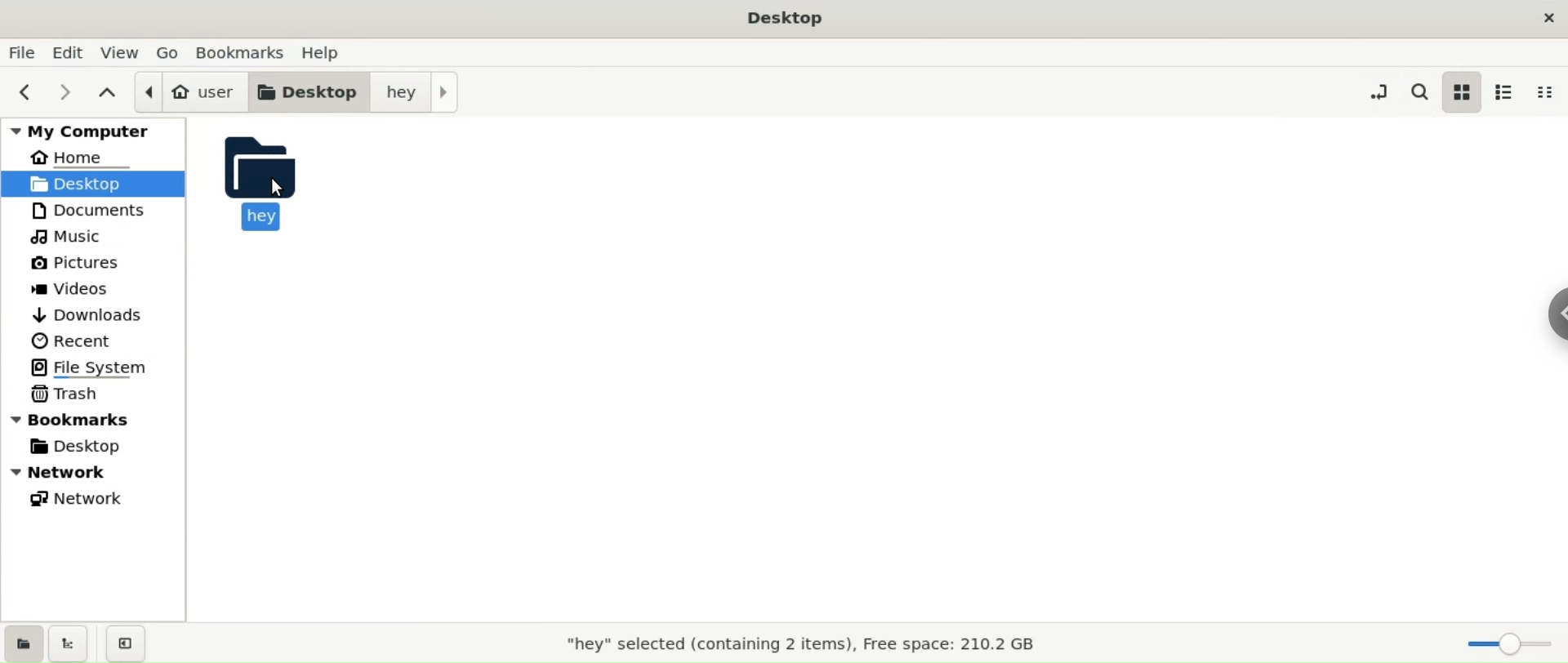 The image size is (1568, 663). Describe the element at coordinates (189, 90) in the screenshot. I see `user` at that location.